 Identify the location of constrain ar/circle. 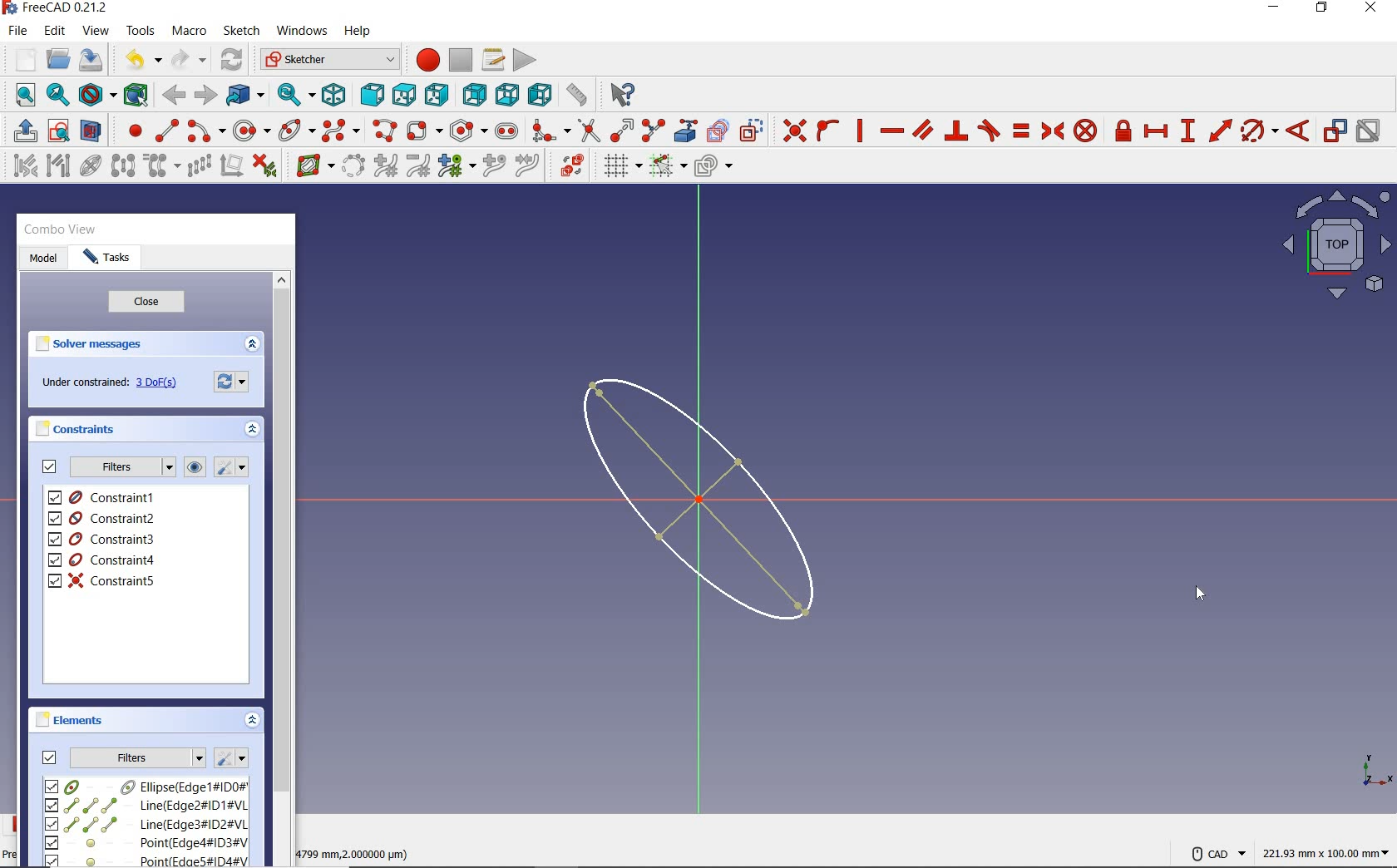
(1260, 130).